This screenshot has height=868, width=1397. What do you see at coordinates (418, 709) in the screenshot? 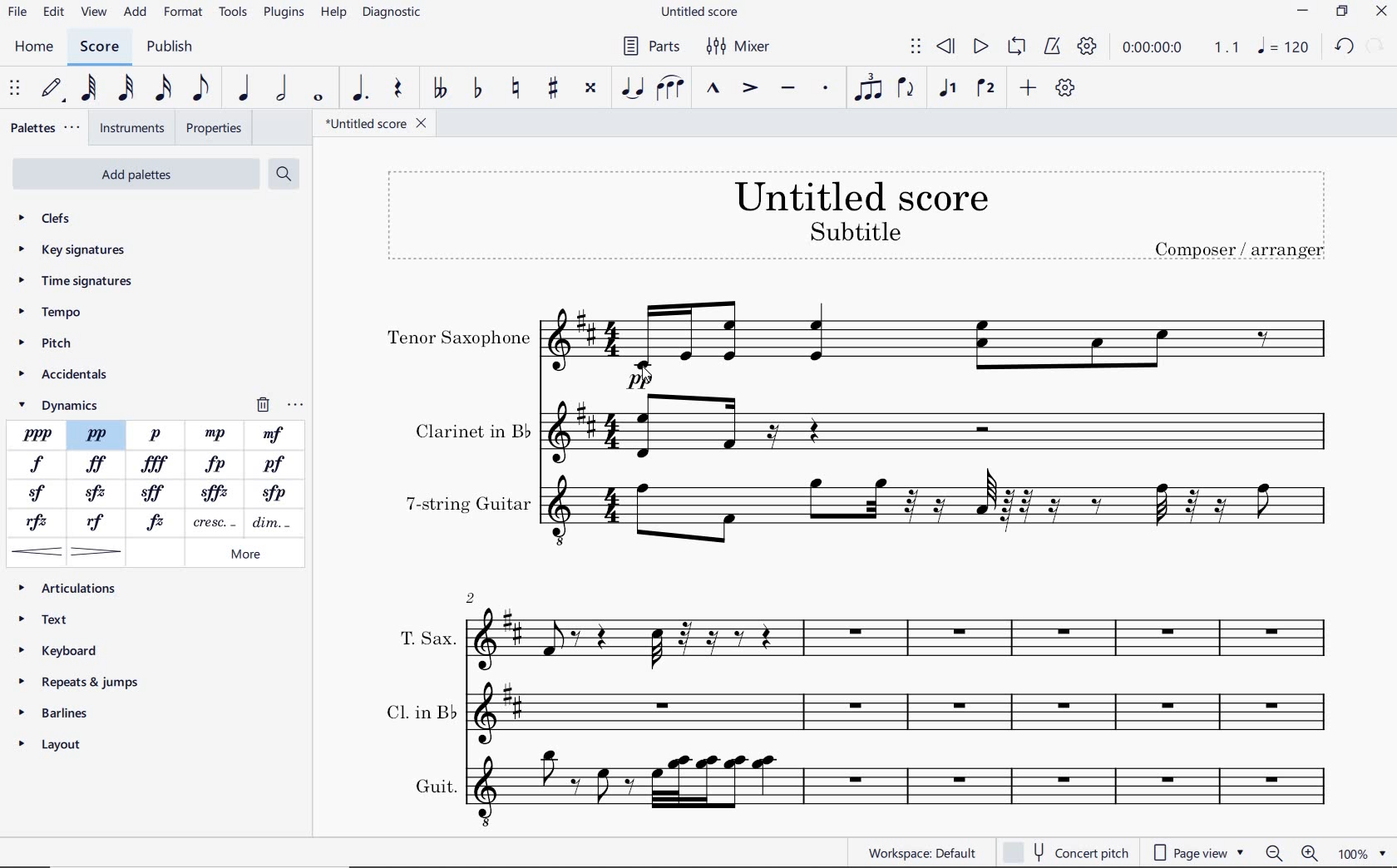
I see `text` at bounding box center [418, 709].